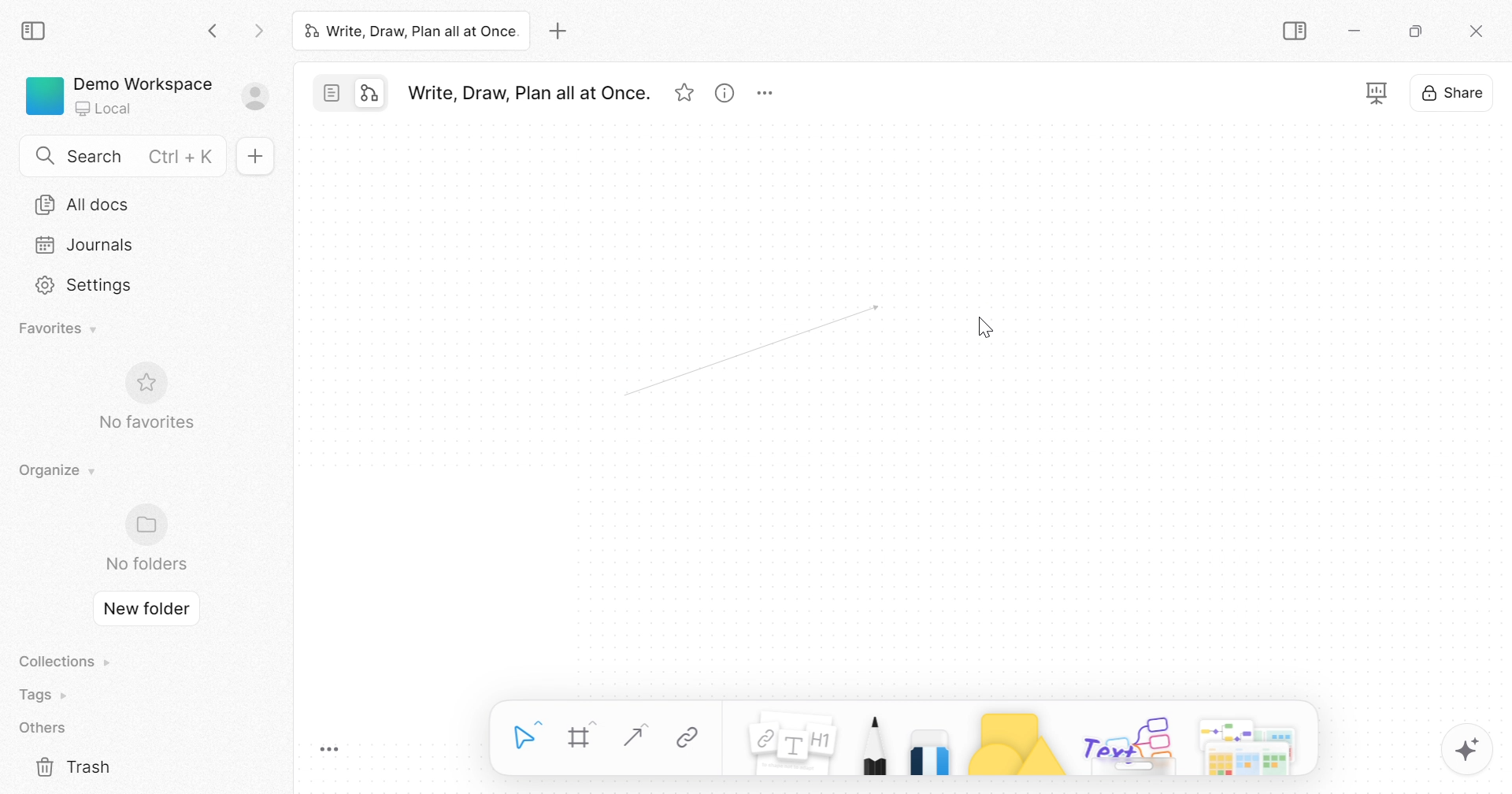  Describe the element at coordinates (80, 244) in the screenshot. I see `Journals` at that location.